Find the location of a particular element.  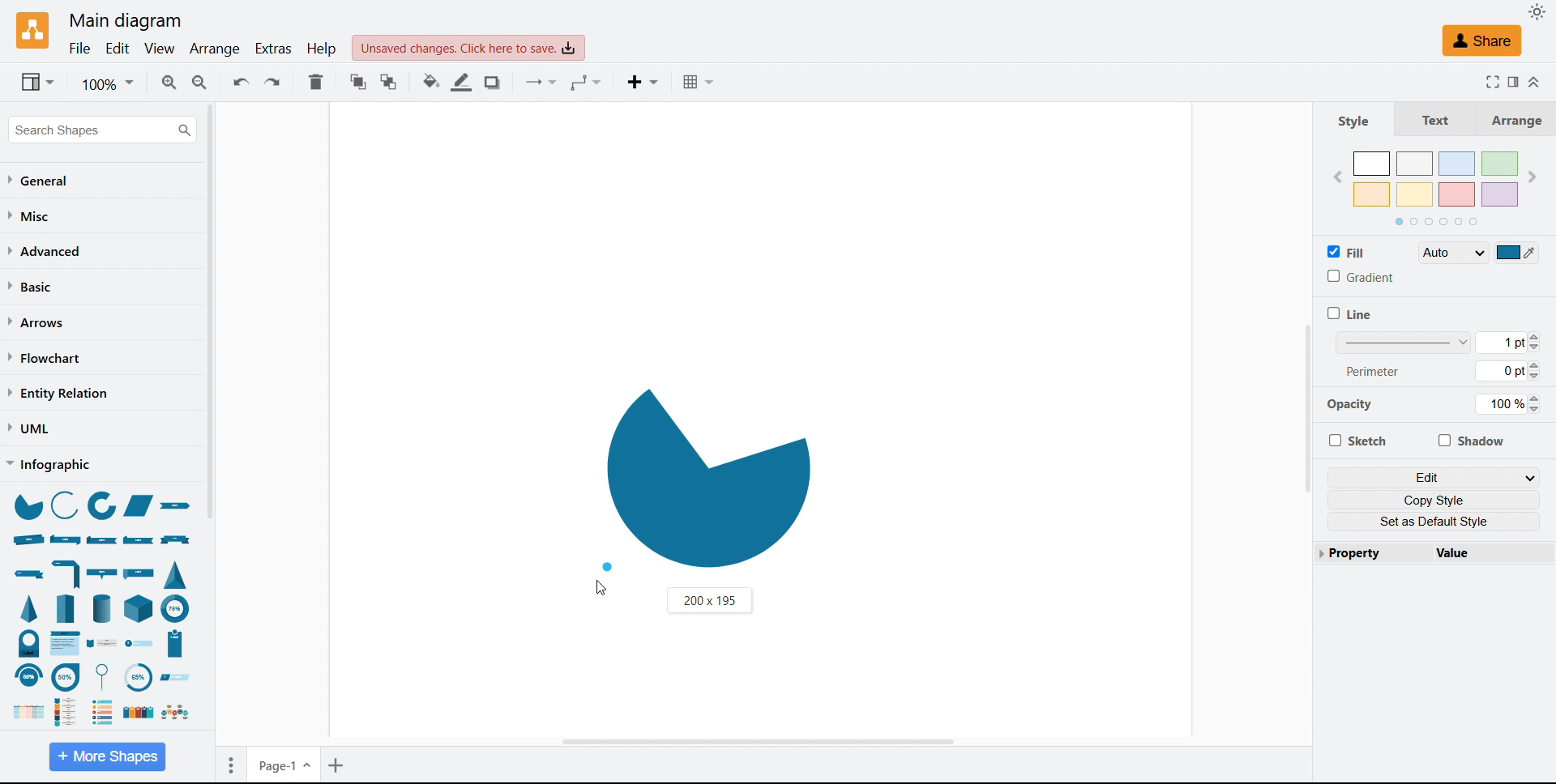

Shape dimensions is located at coordinates (709, 600).